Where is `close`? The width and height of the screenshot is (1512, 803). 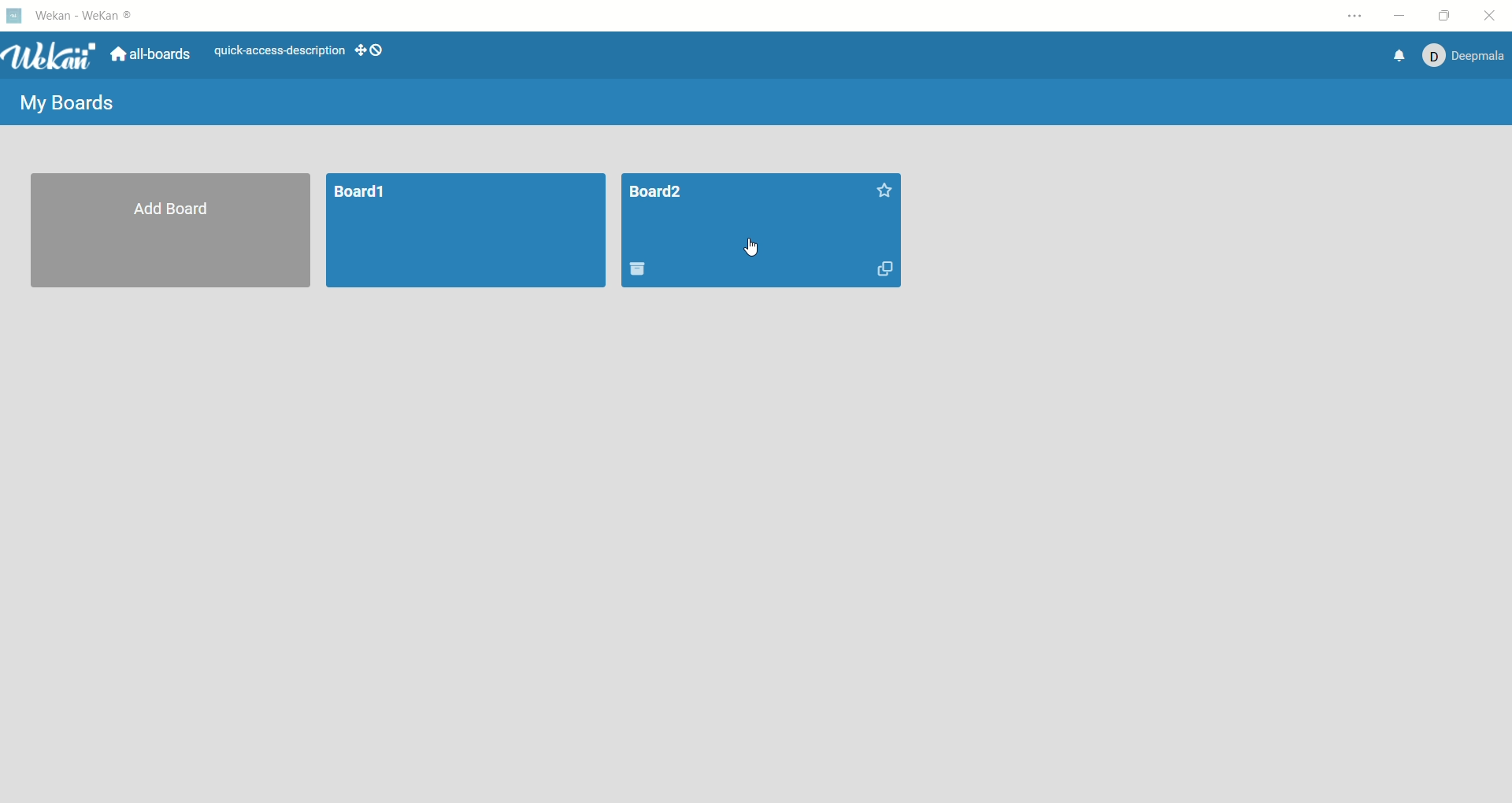 close is located at coordinates (1493, 17).